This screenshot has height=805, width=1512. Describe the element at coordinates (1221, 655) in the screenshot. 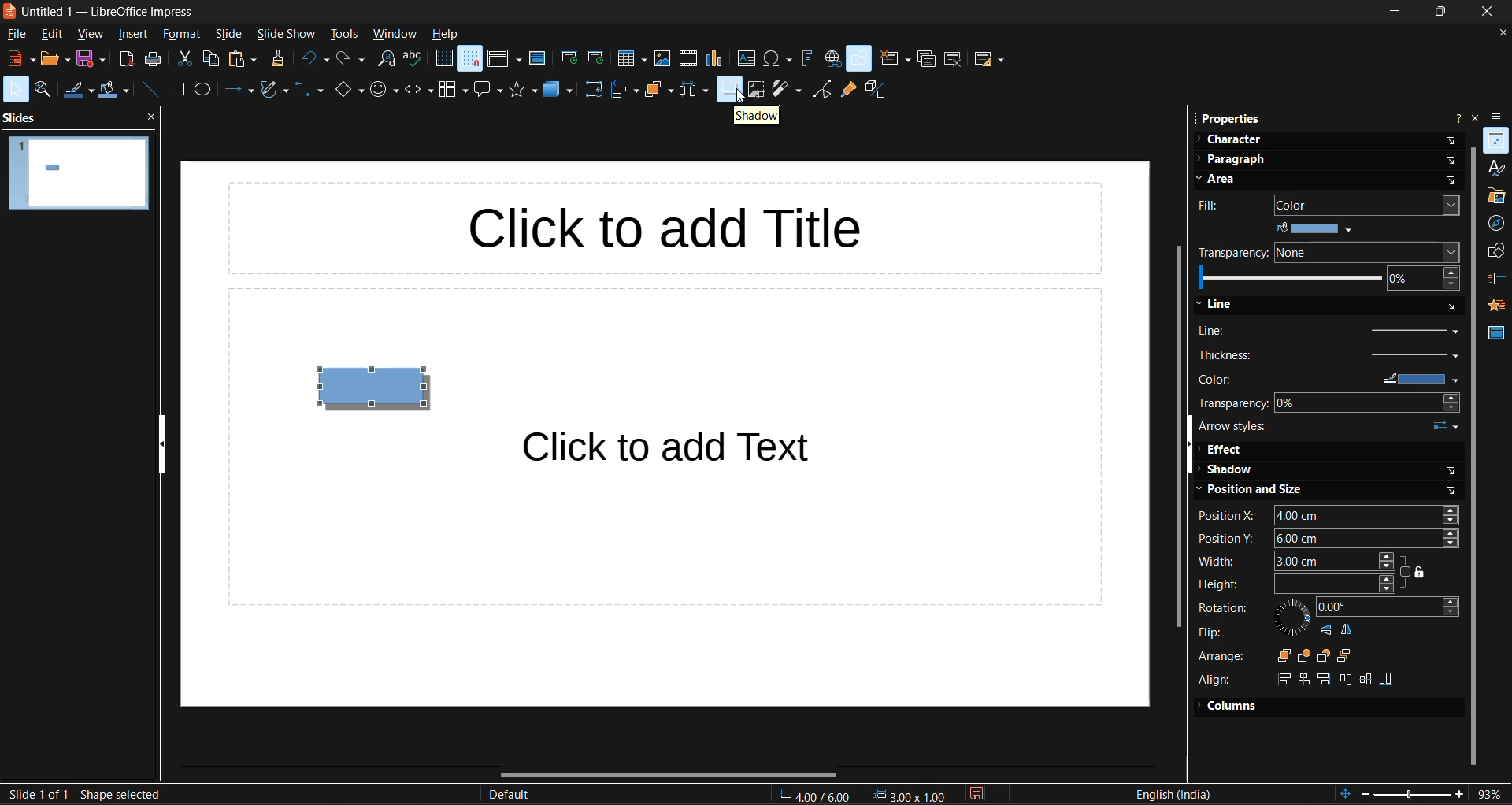

I see `arrange` at that location.